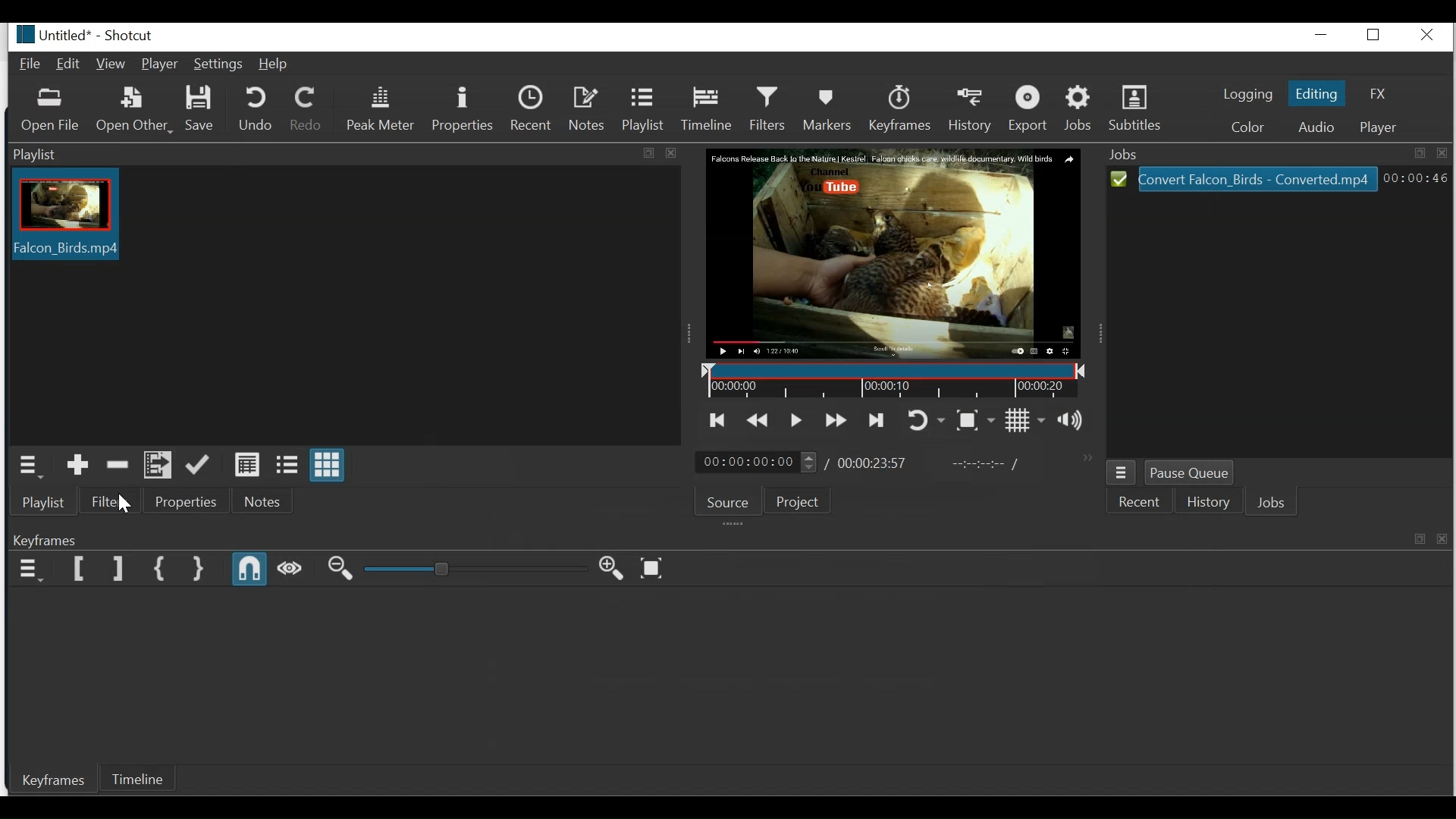  I want to click on Properties, so click(184, 503).